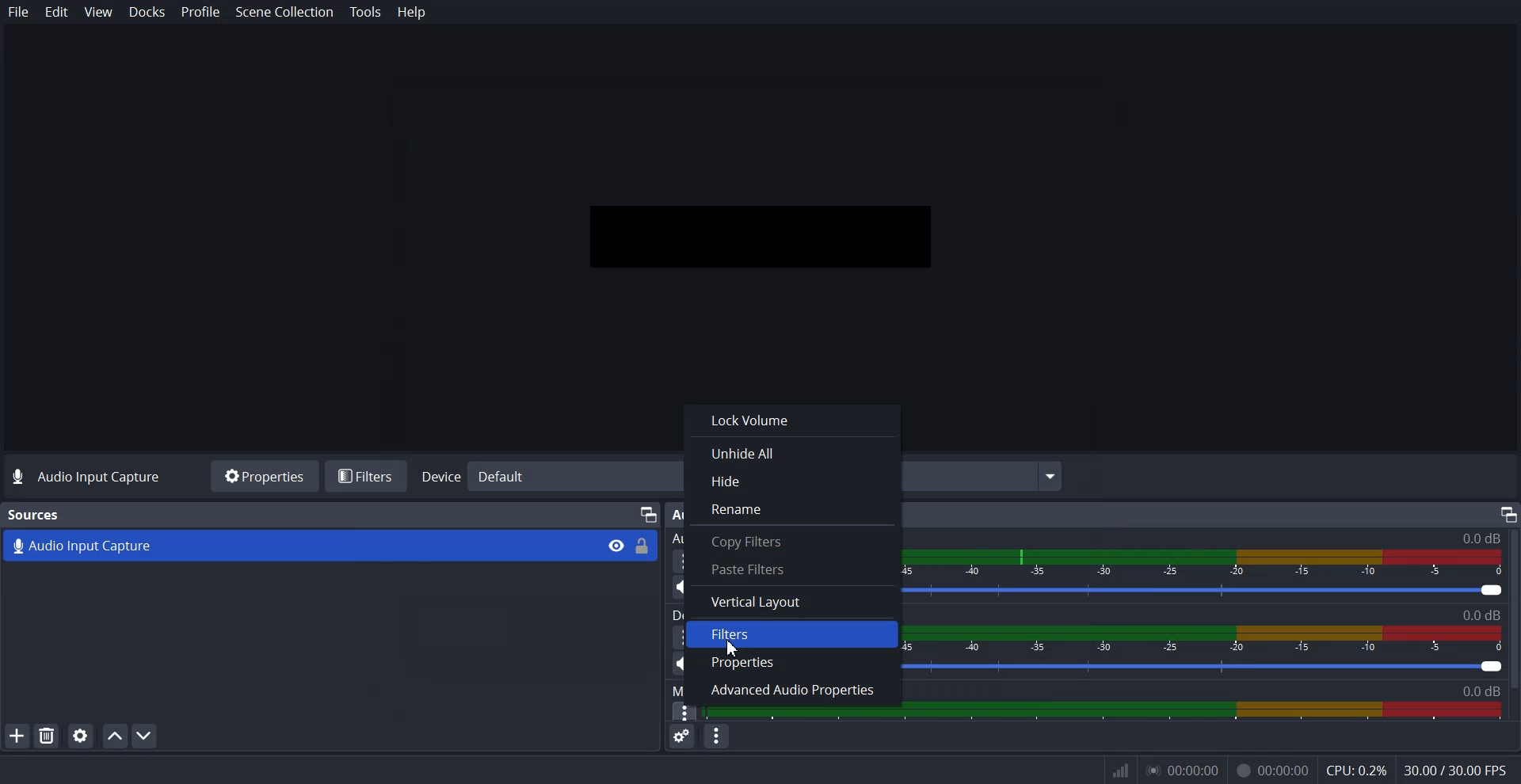  I want to click on Mute, so click(681, 582).